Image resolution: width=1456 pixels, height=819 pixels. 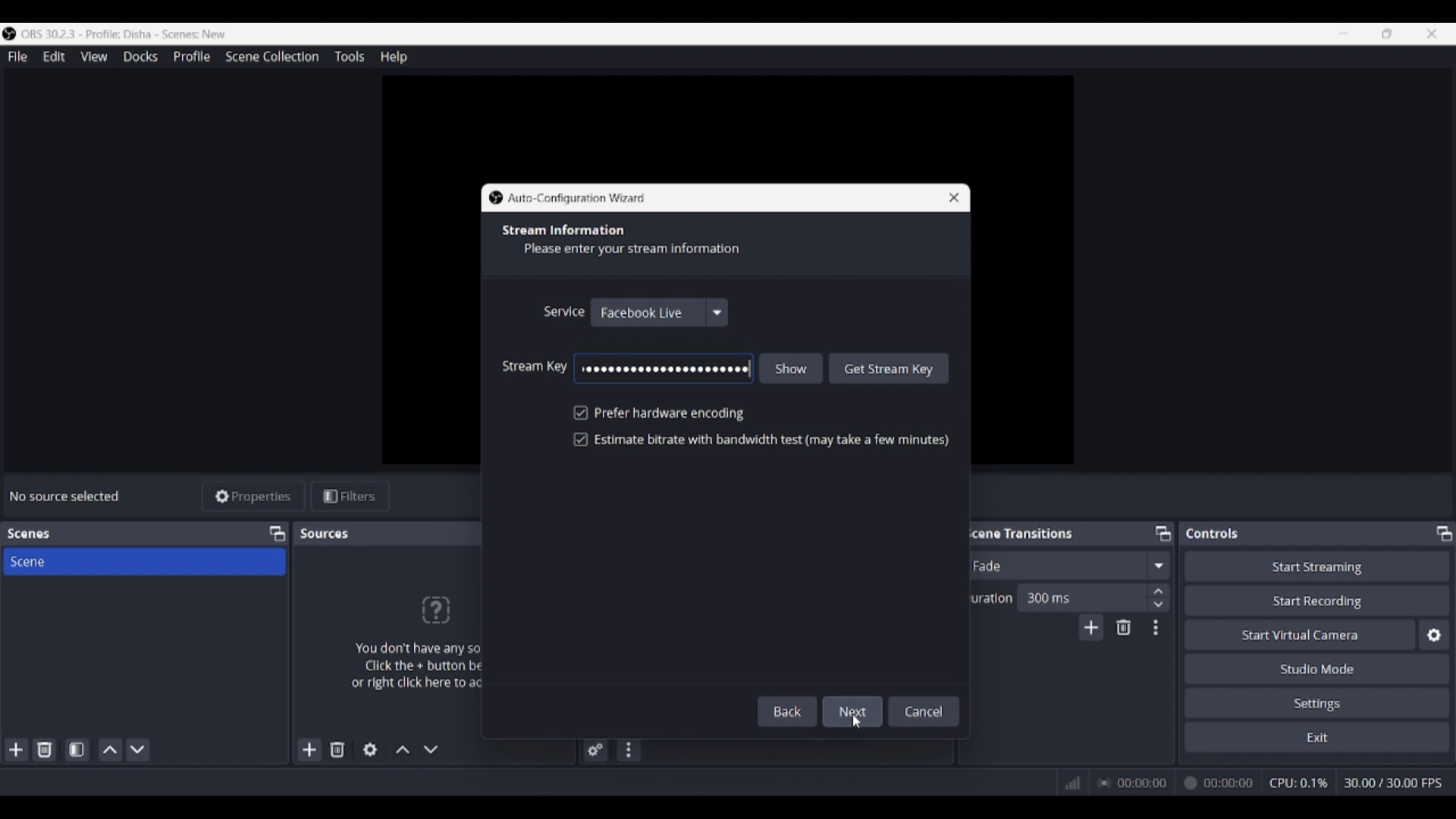 I want to click on Back, so click(x=790, y=711).